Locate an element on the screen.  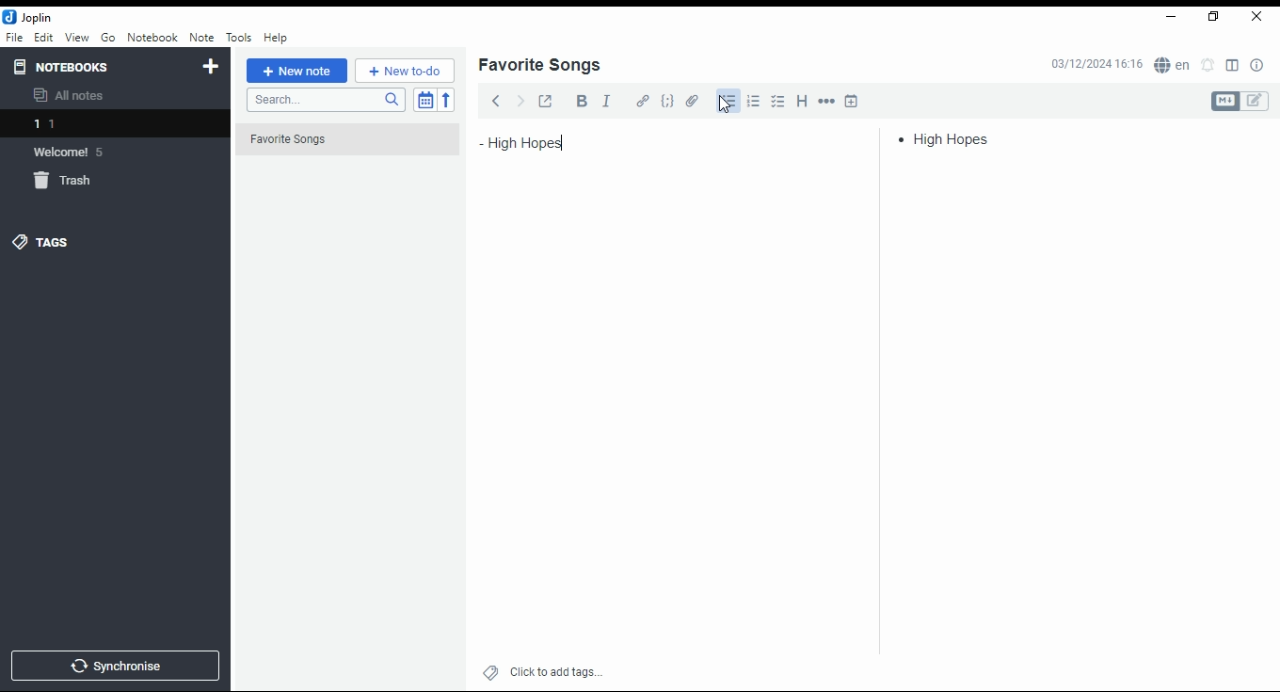
notebook is located at coordinates (152, 37).